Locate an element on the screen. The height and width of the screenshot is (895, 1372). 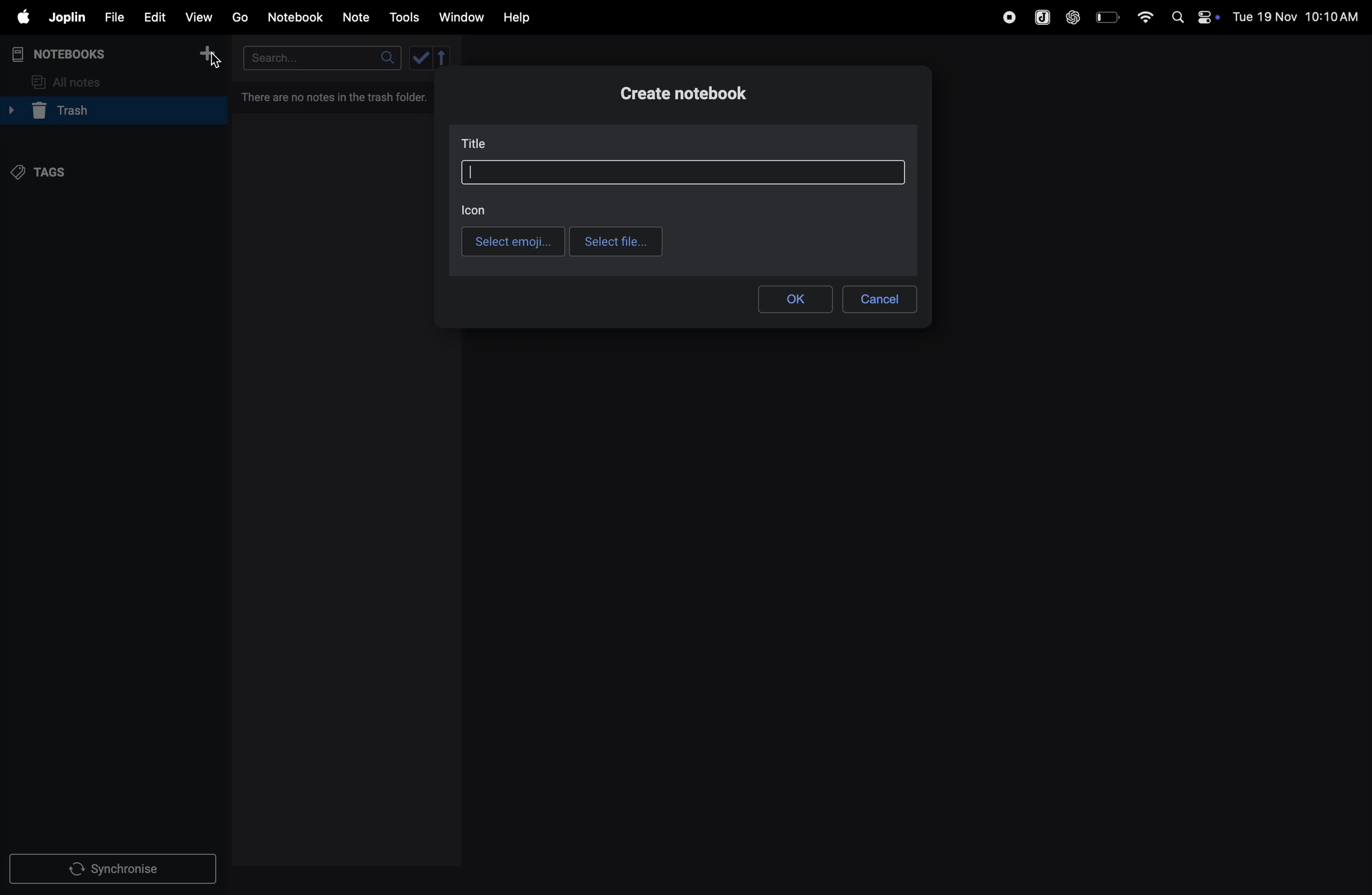
on/off is located at coordinates (1211, 17).